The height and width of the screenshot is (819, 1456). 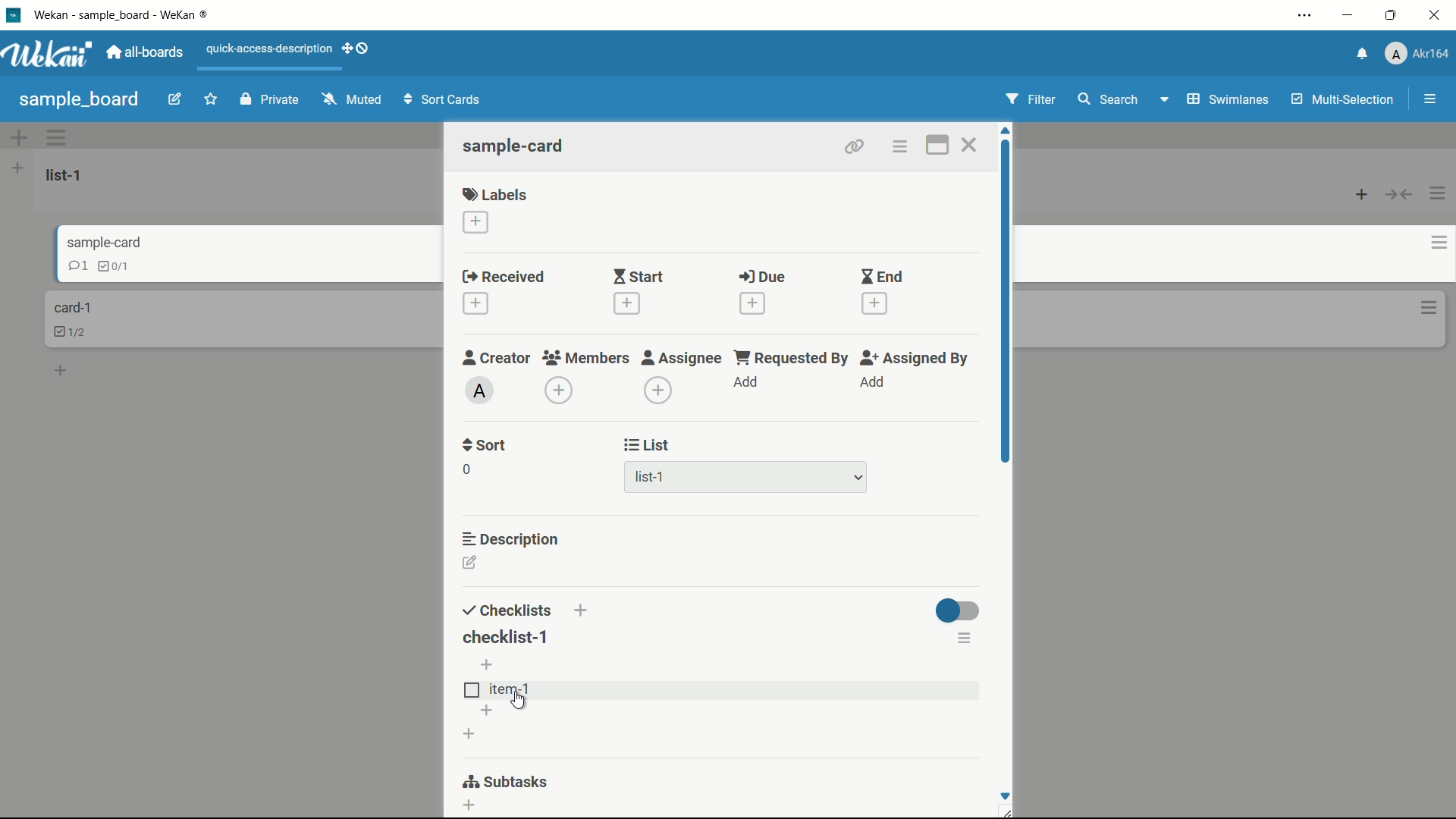 I want to click on comment, so click(x=65, y=268).